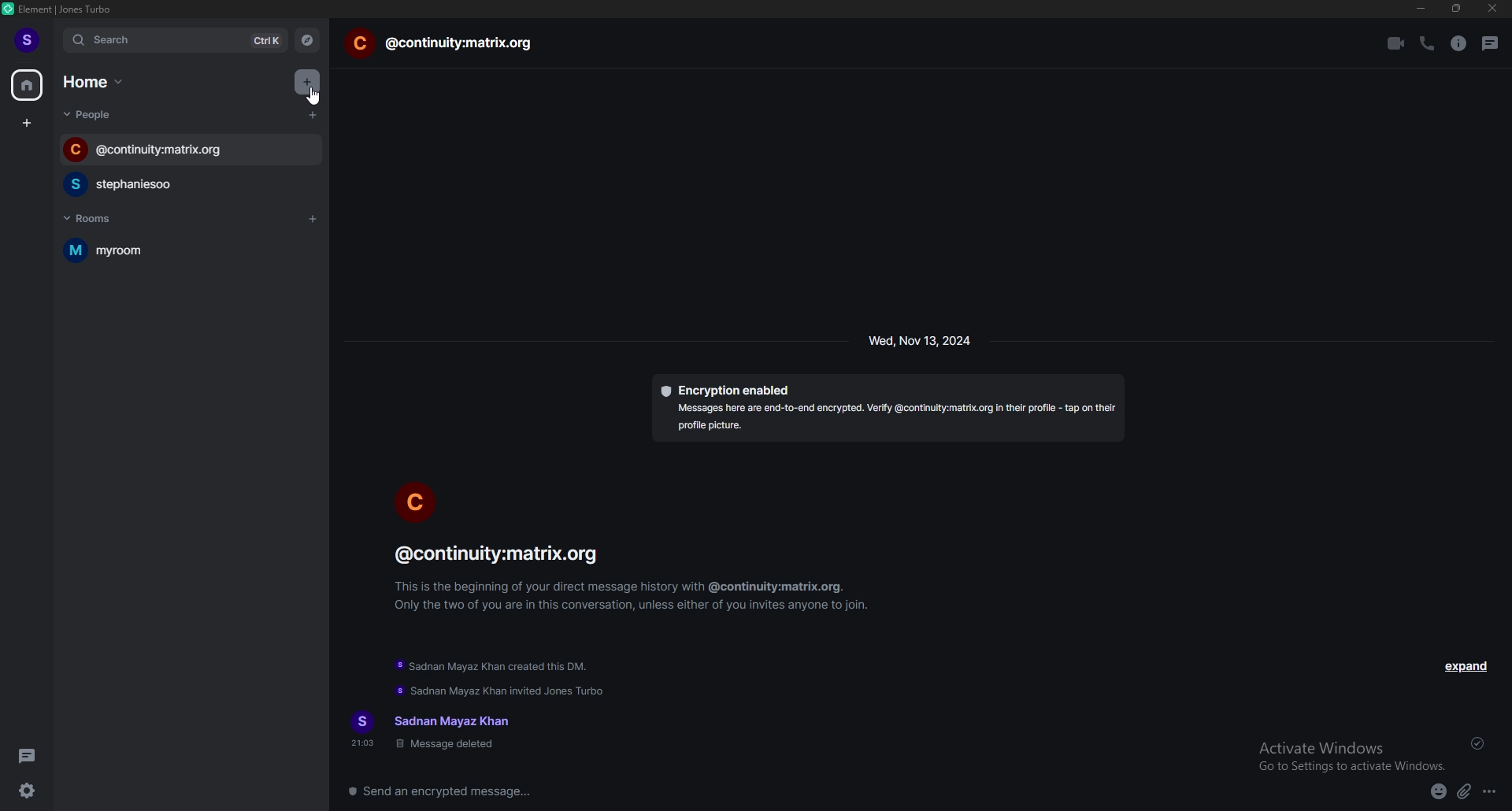 The height and width of the screenshot is (811, 1512). What do you see at coordinates (97, 81) in the screenshot?
I see `home` at bounding box center [97, 81].